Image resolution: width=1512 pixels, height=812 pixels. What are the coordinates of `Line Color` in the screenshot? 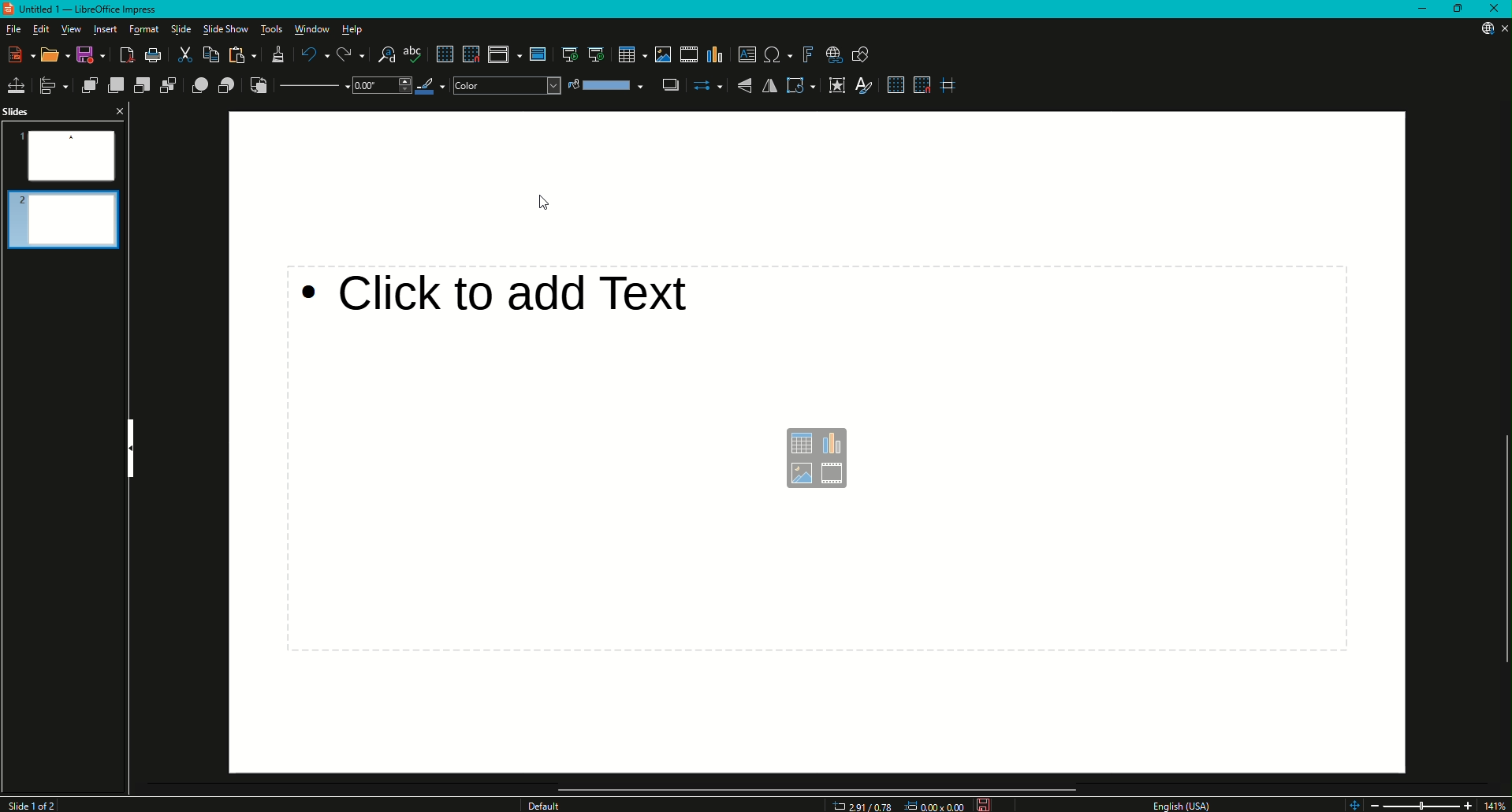 It's located at (428, 88).